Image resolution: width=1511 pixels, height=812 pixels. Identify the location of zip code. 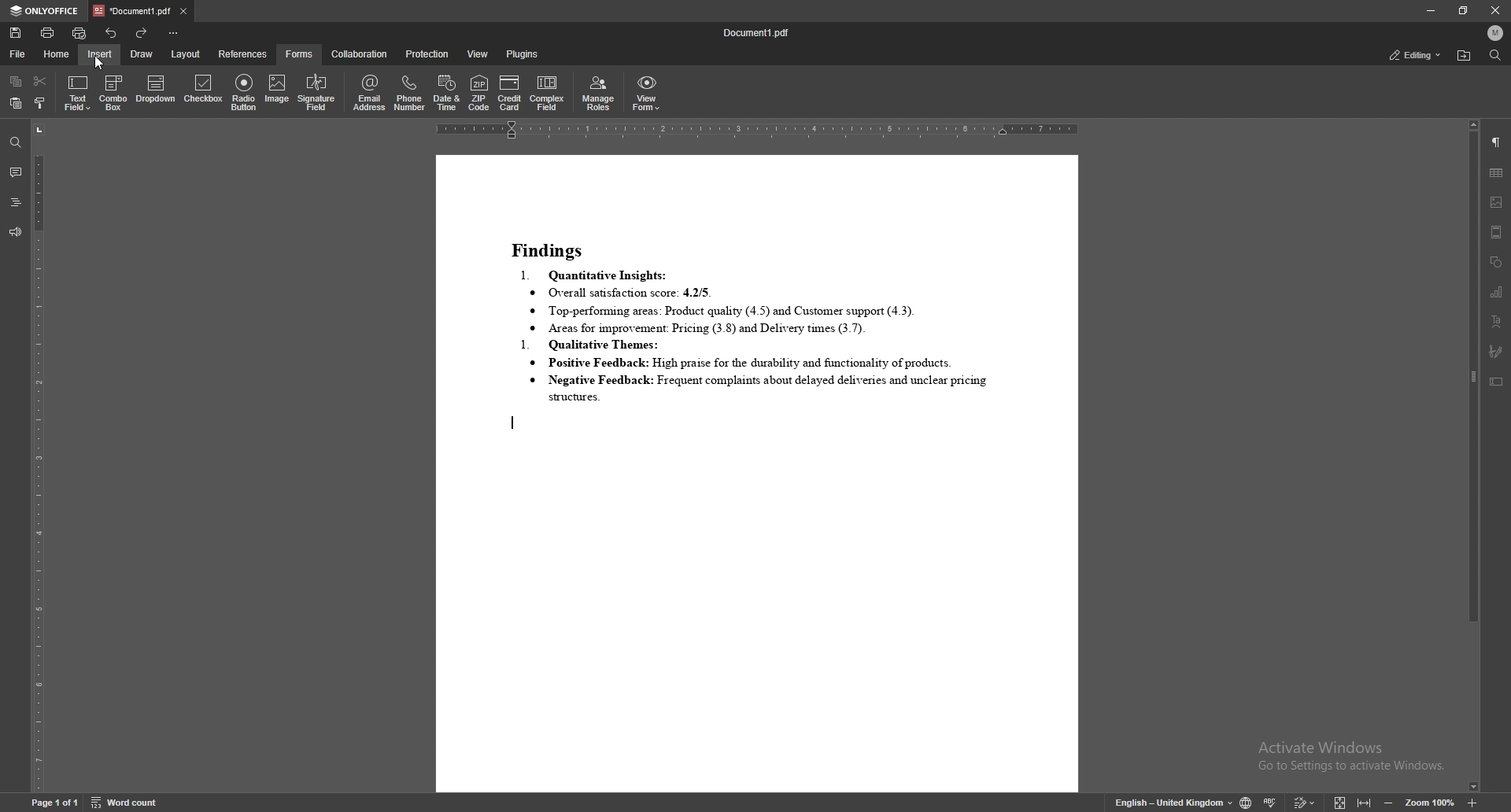
(478, 93).